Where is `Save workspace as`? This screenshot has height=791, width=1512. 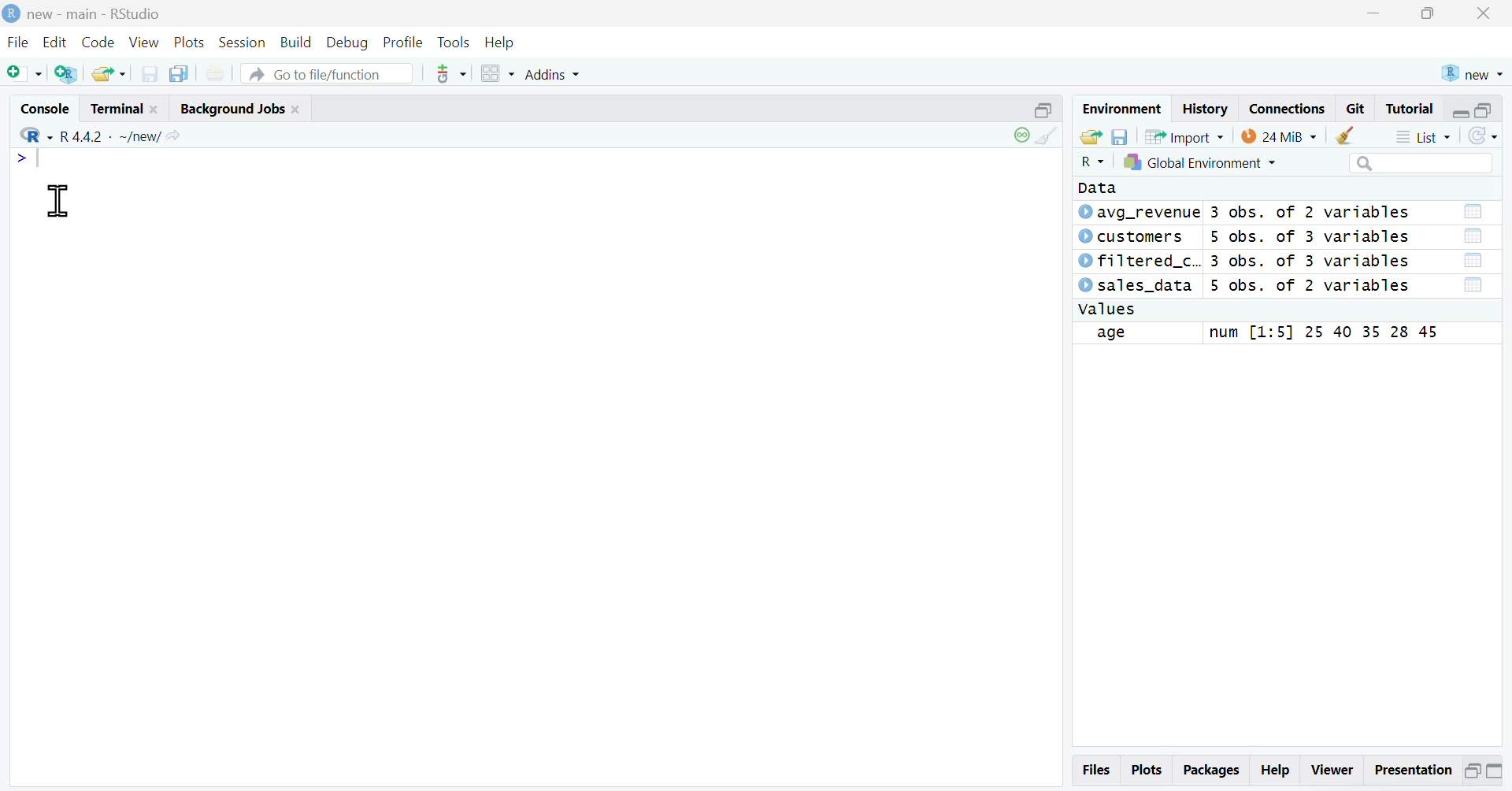 Save workspace as is located at coordinates (1120, 137).